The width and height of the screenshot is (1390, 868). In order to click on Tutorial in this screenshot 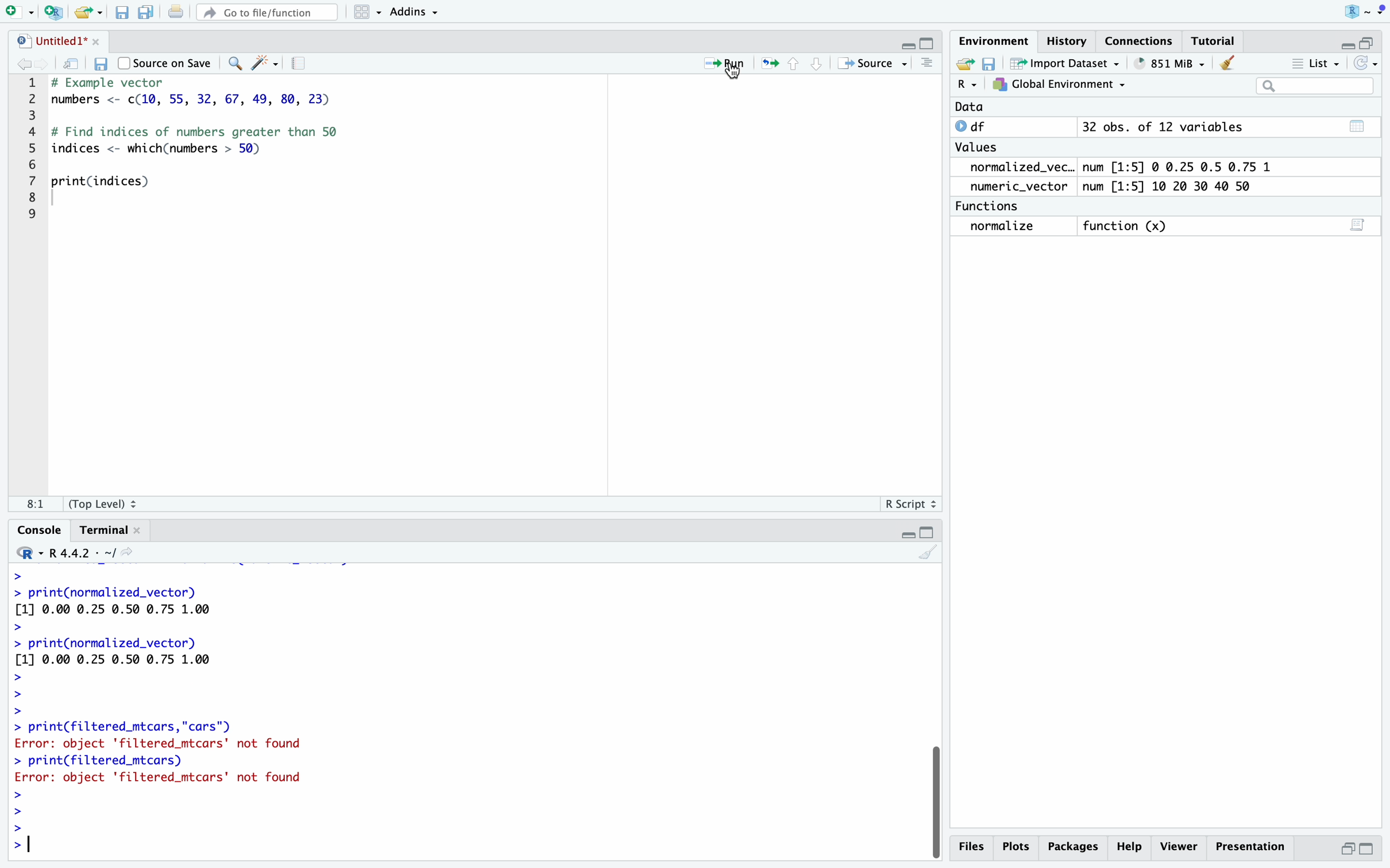, I will do `click(1215, 41)`.